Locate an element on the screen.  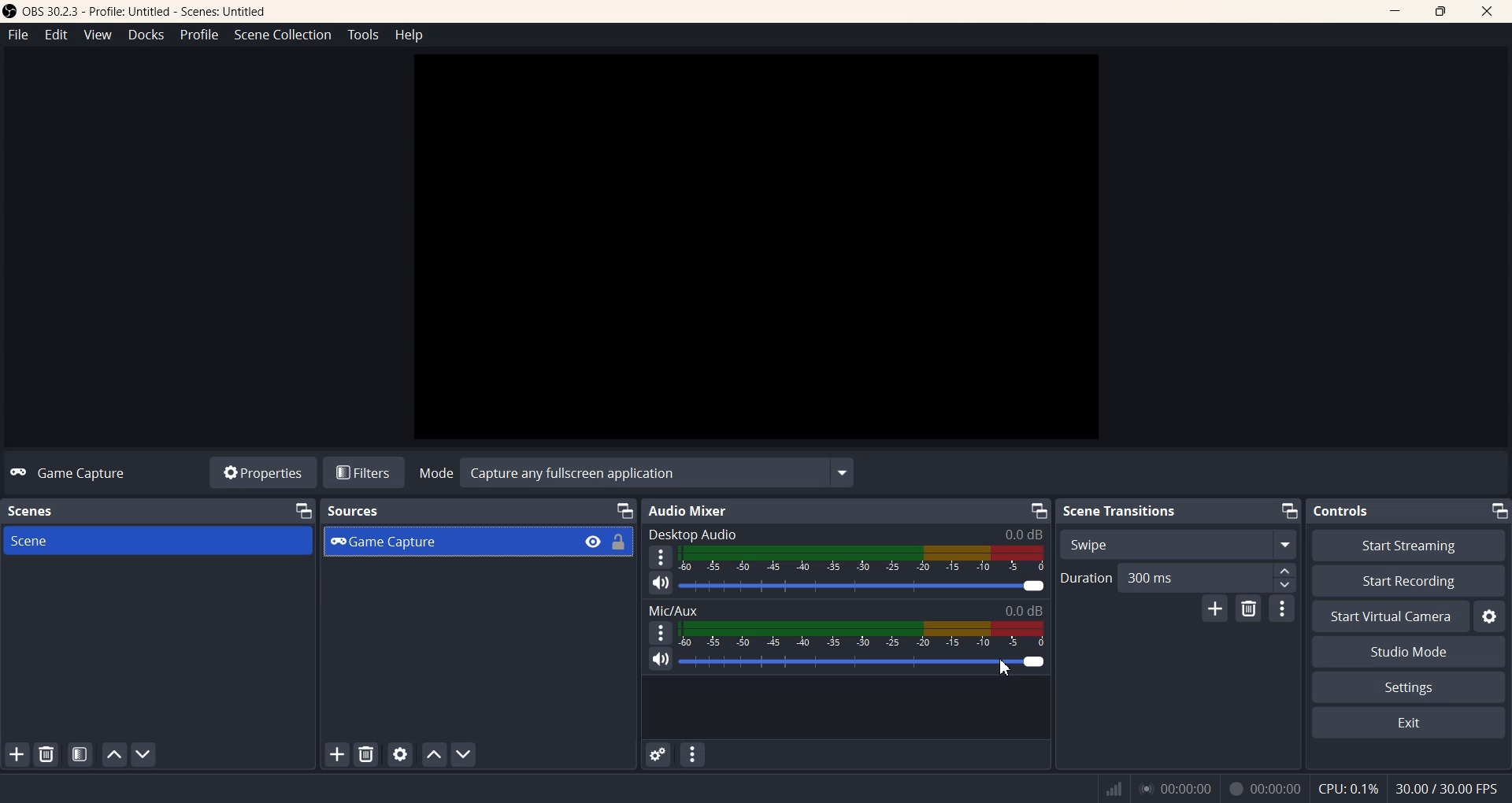
Text is located at coordinates (1340, 510).